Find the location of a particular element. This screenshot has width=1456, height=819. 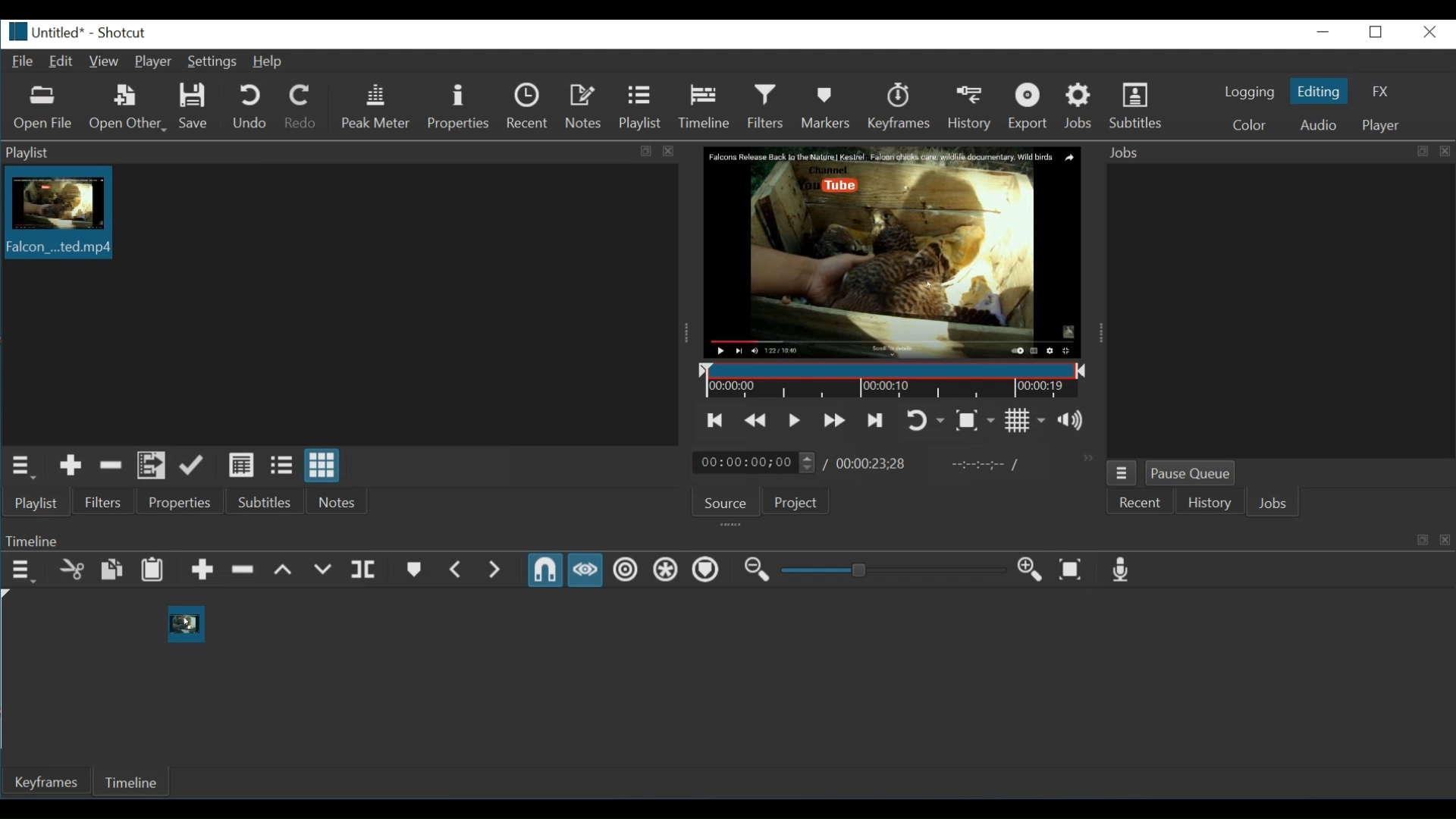

In oint is located at coordinates (981, 466).